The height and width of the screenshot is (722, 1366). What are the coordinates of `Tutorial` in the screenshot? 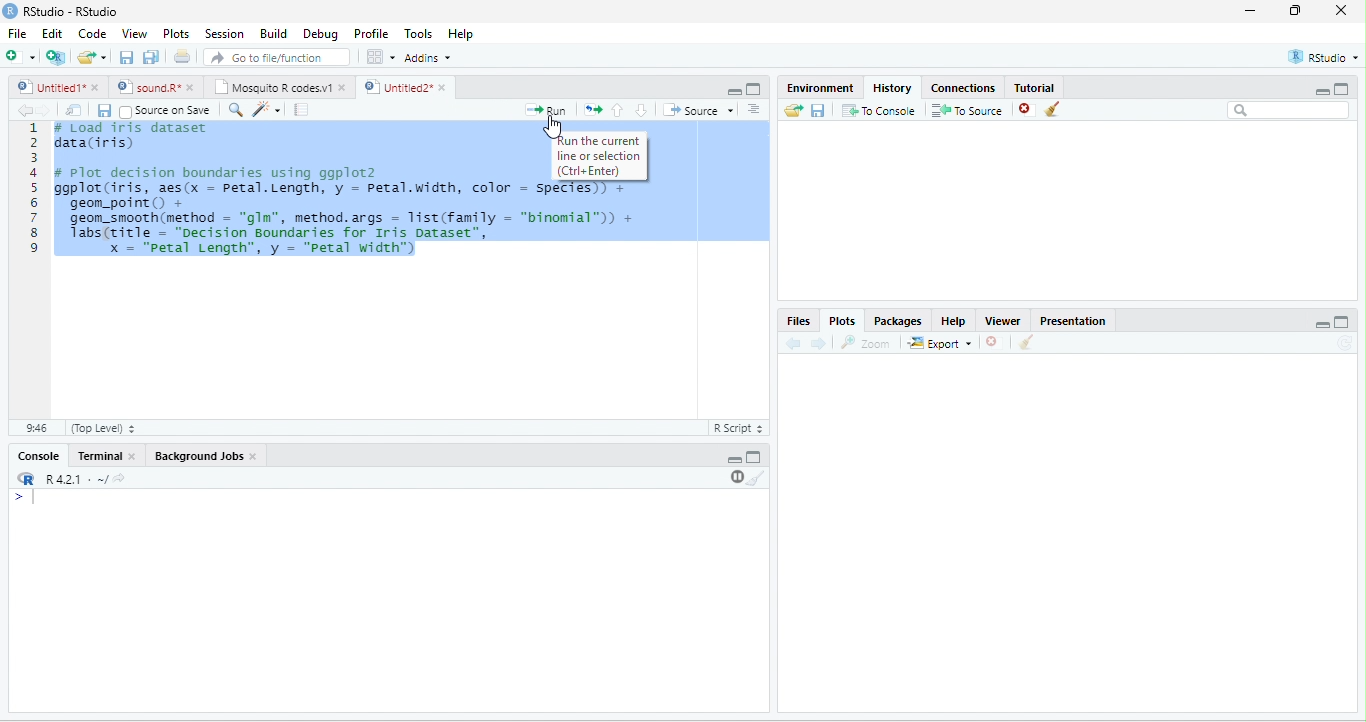 It's located at (1035, 88).